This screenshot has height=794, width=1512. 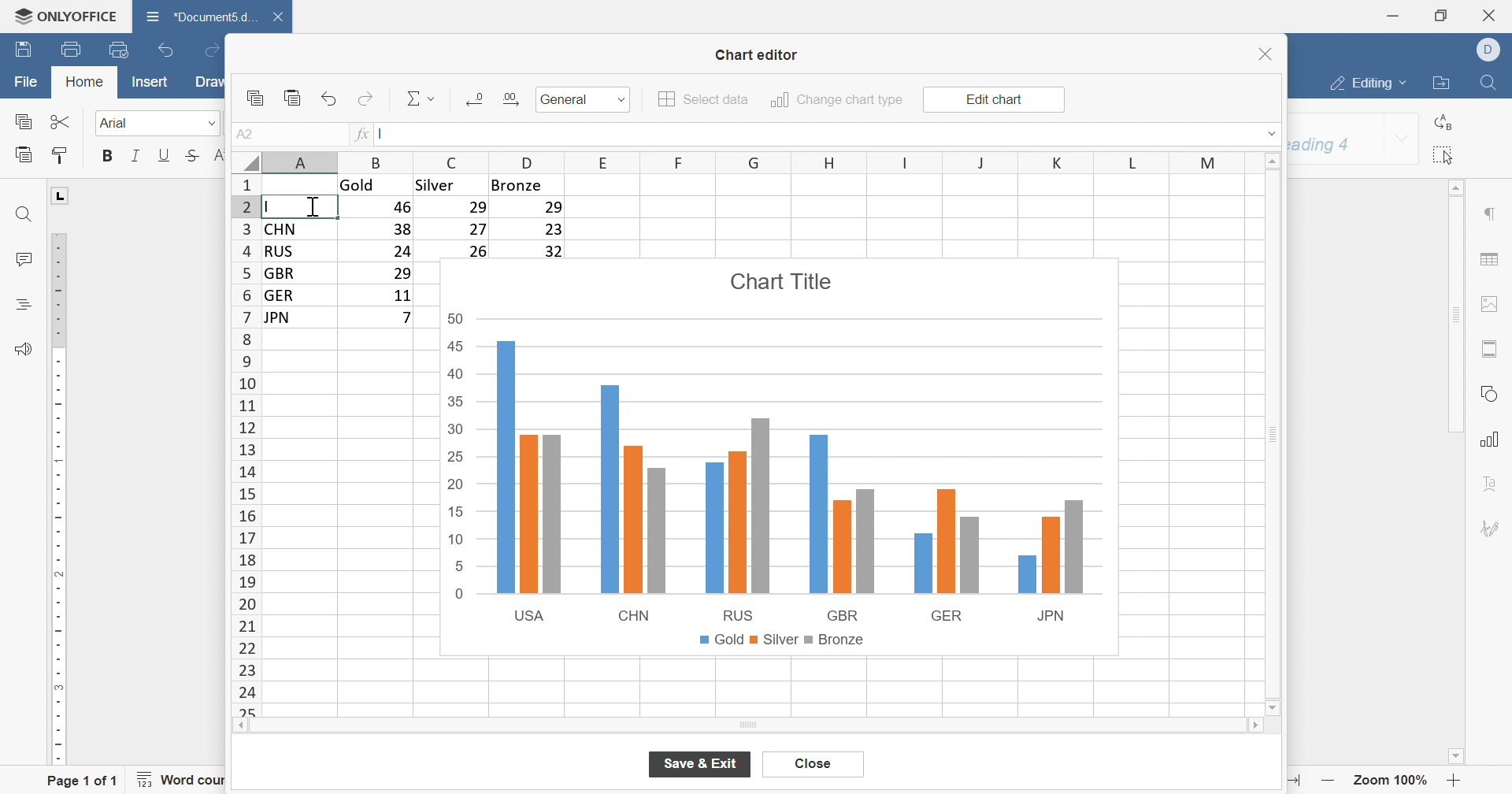 What do you see at coordinates (220, 155) in the screenshot?
I see `superscript` at bounding box center [220, 155].